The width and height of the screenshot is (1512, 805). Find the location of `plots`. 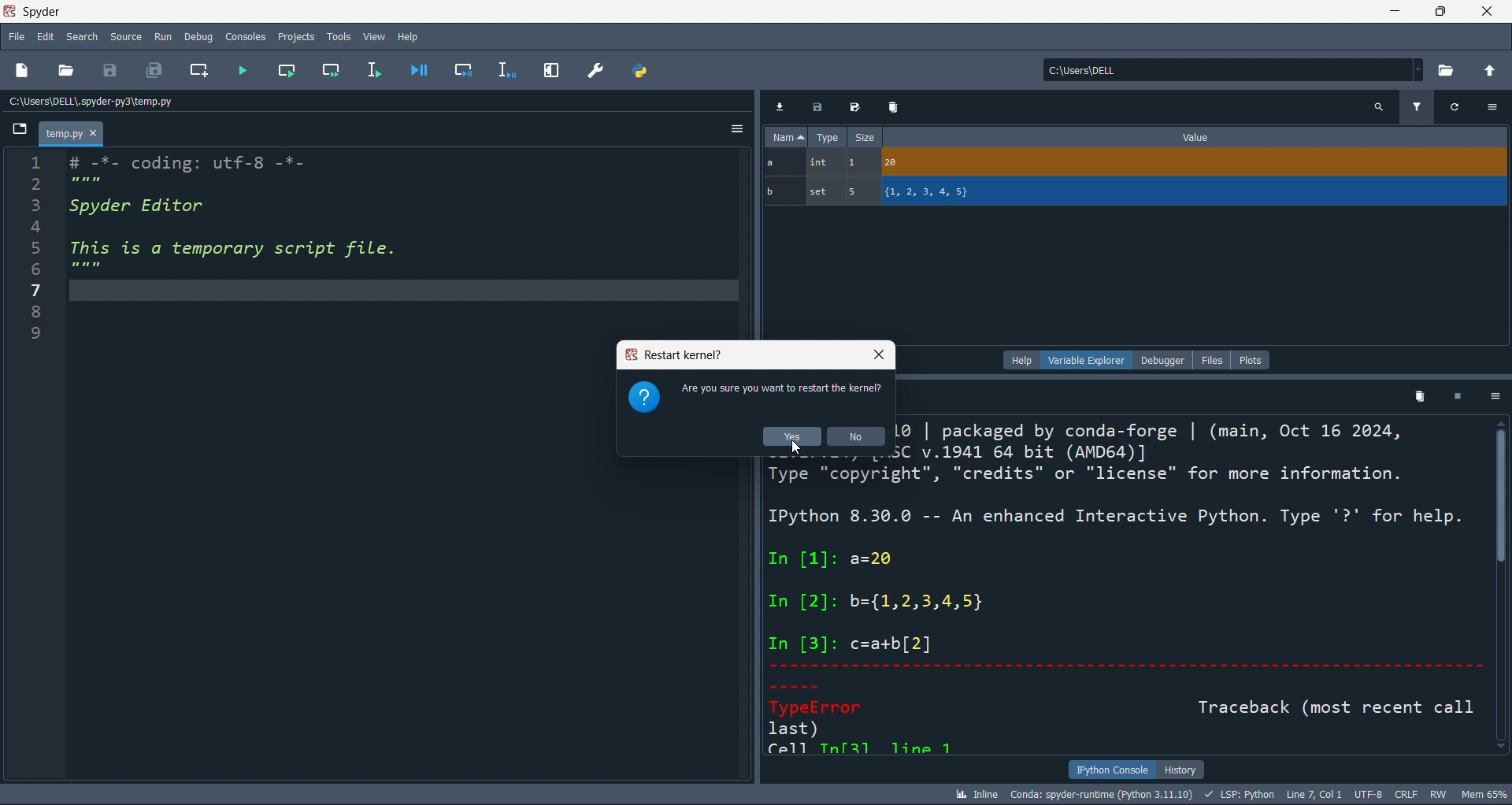

plots is located at coordinates (1255, 360).